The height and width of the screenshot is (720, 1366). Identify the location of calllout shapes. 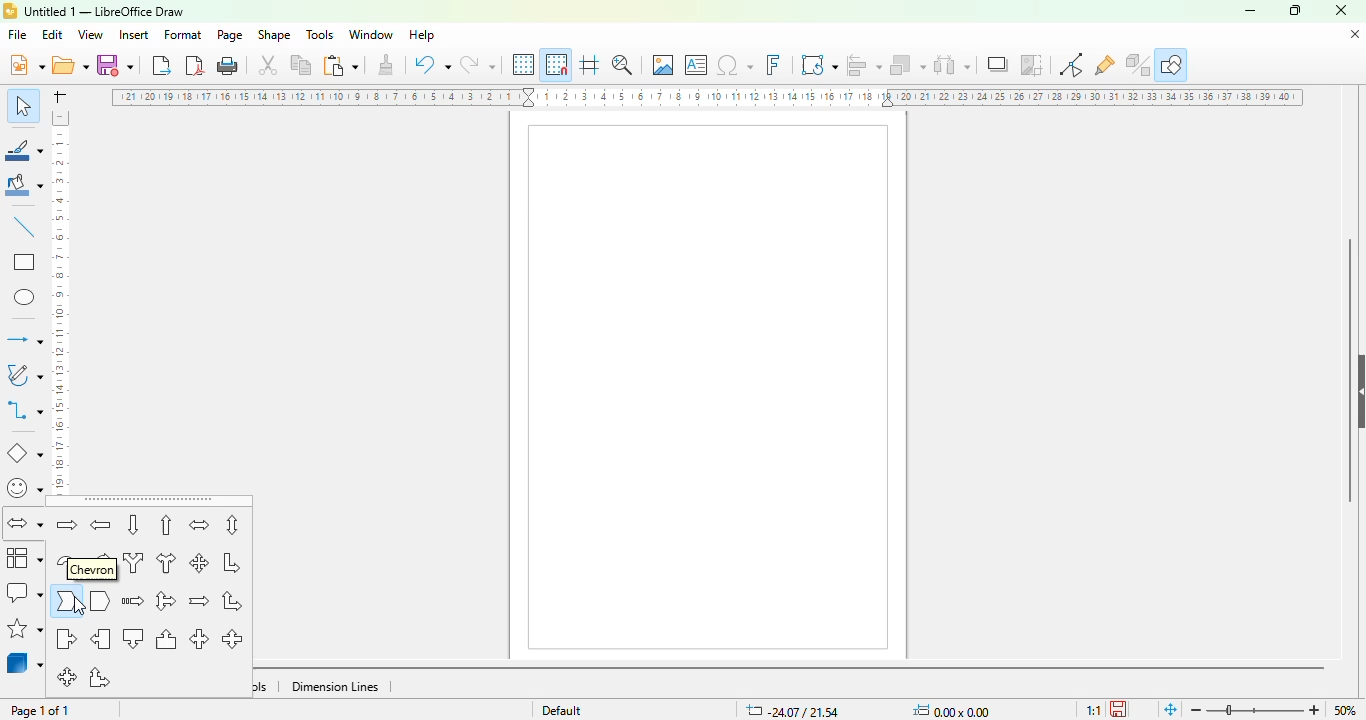
(24, 592).